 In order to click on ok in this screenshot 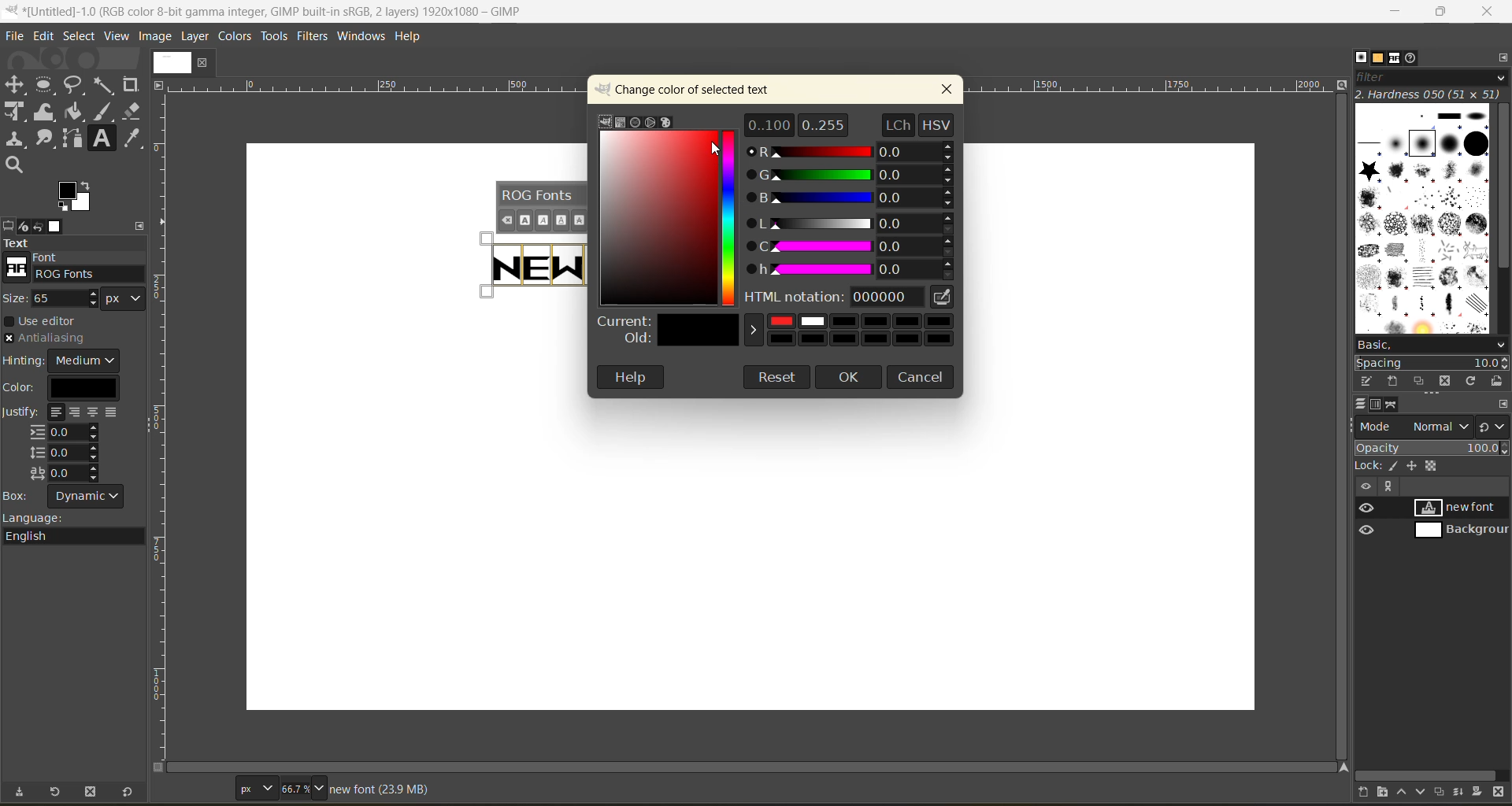, I will do `click(851, 378)`.